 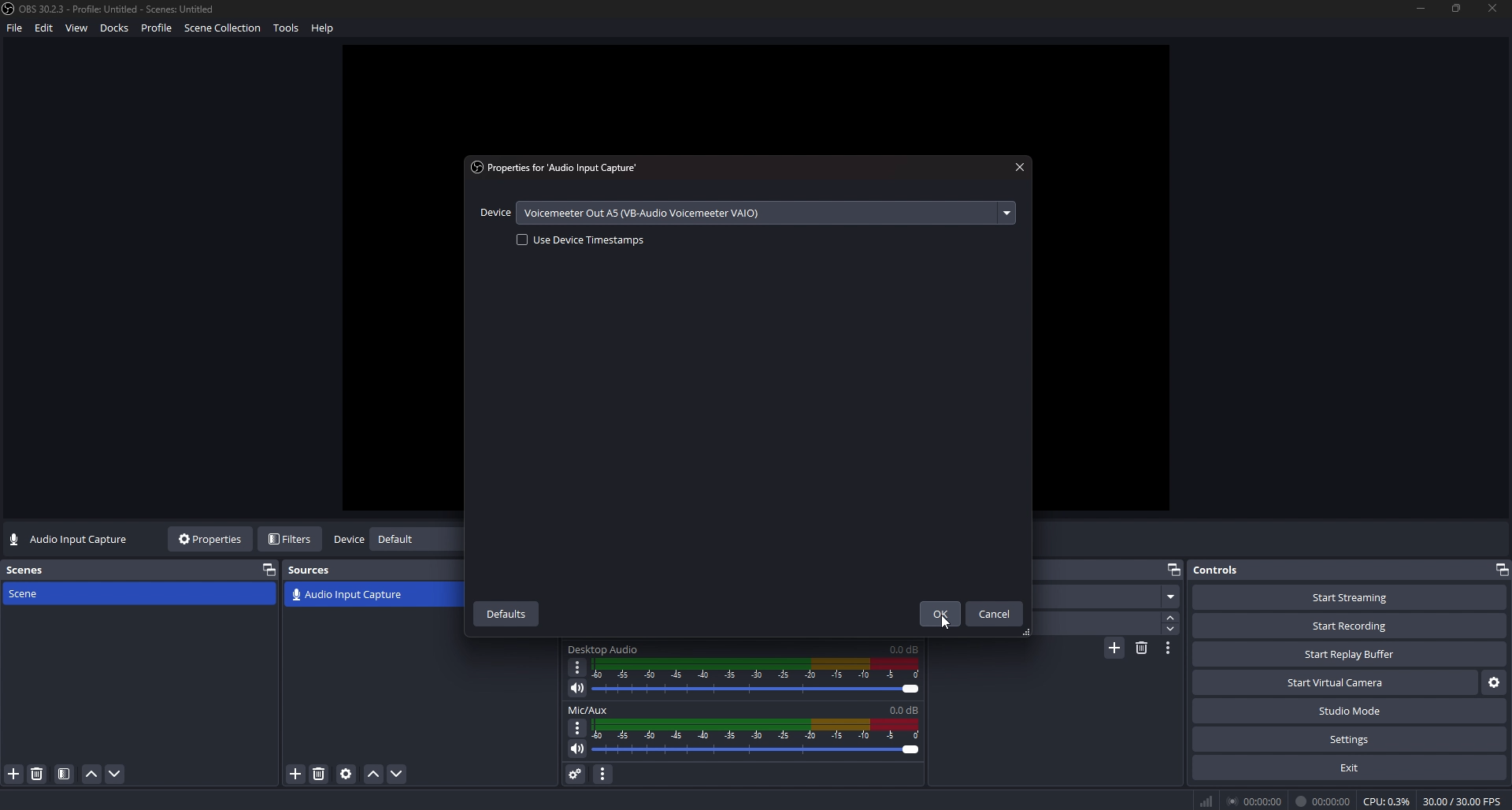 I want to click on help, so click(x=326, y=30).